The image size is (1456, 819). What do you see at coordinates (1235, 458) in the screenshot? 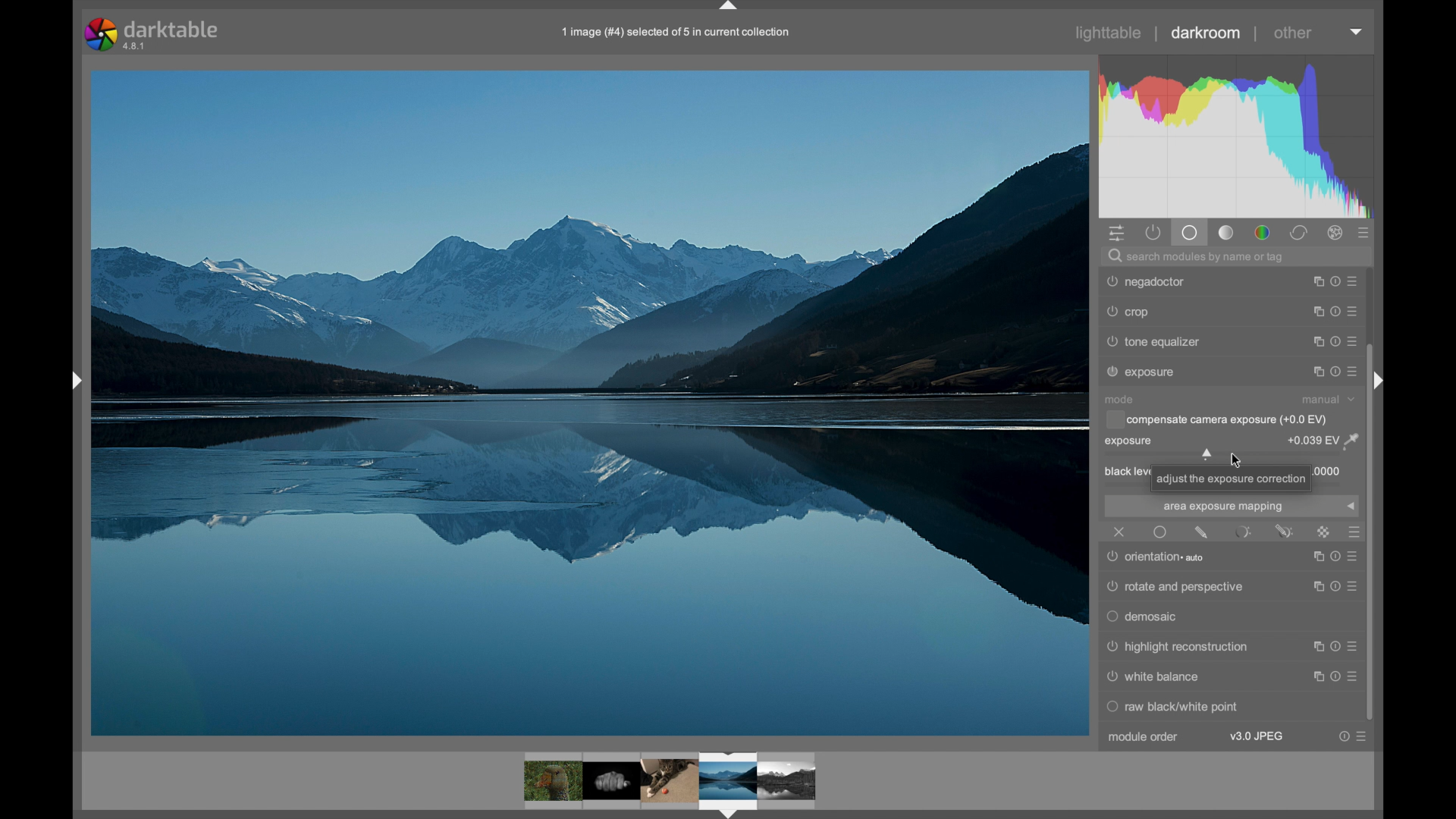
I see `cursor` at bounding box center [1235, 458].